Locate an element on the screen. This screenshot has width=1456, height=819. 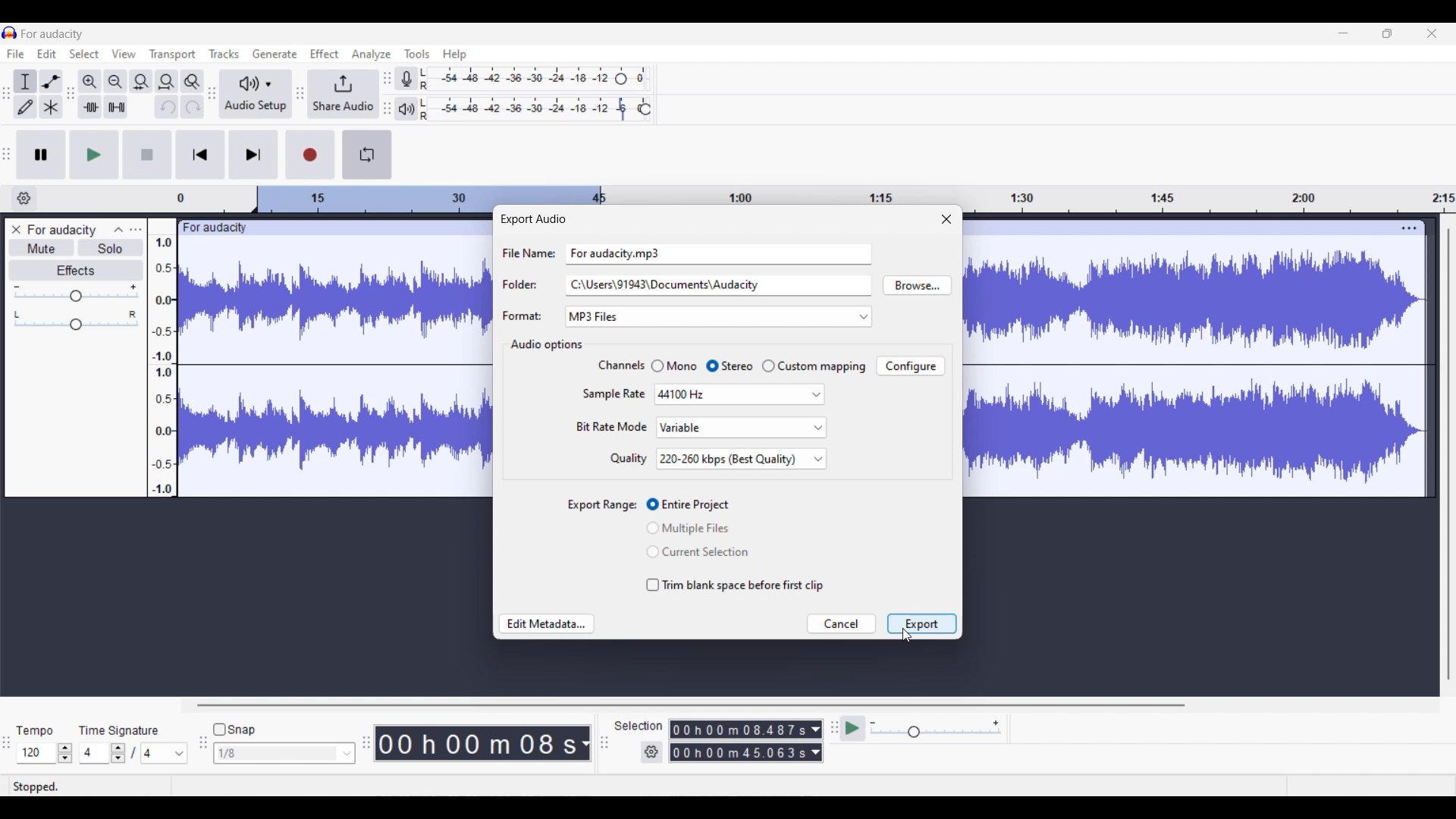
Configure is located at coordinates (910, 366).